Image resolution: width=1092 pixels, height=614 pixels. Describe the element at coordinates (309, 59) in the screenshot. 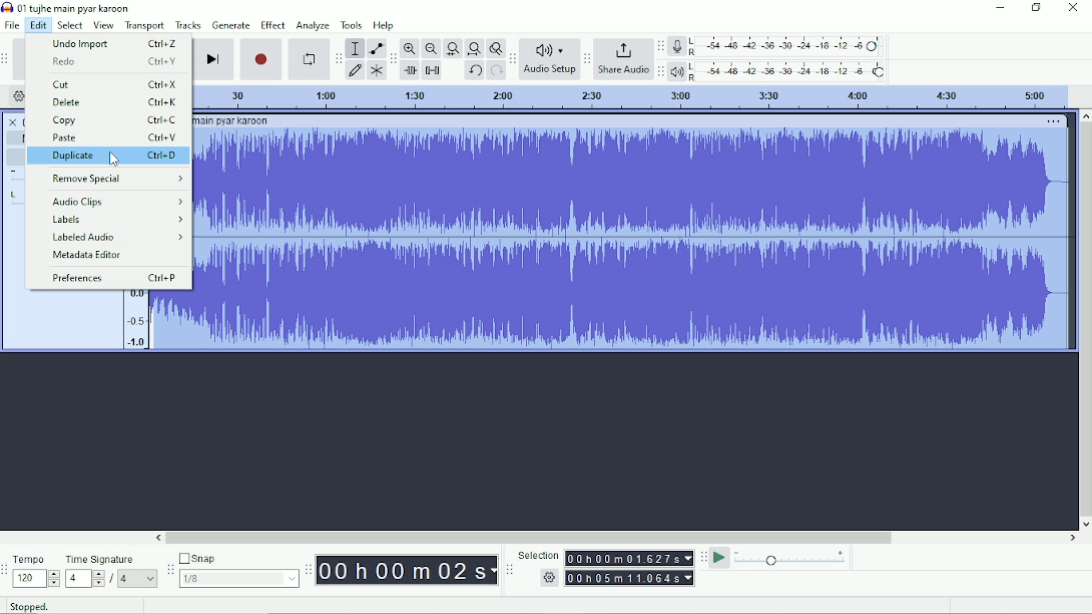

I see `Enable looping` at that location.